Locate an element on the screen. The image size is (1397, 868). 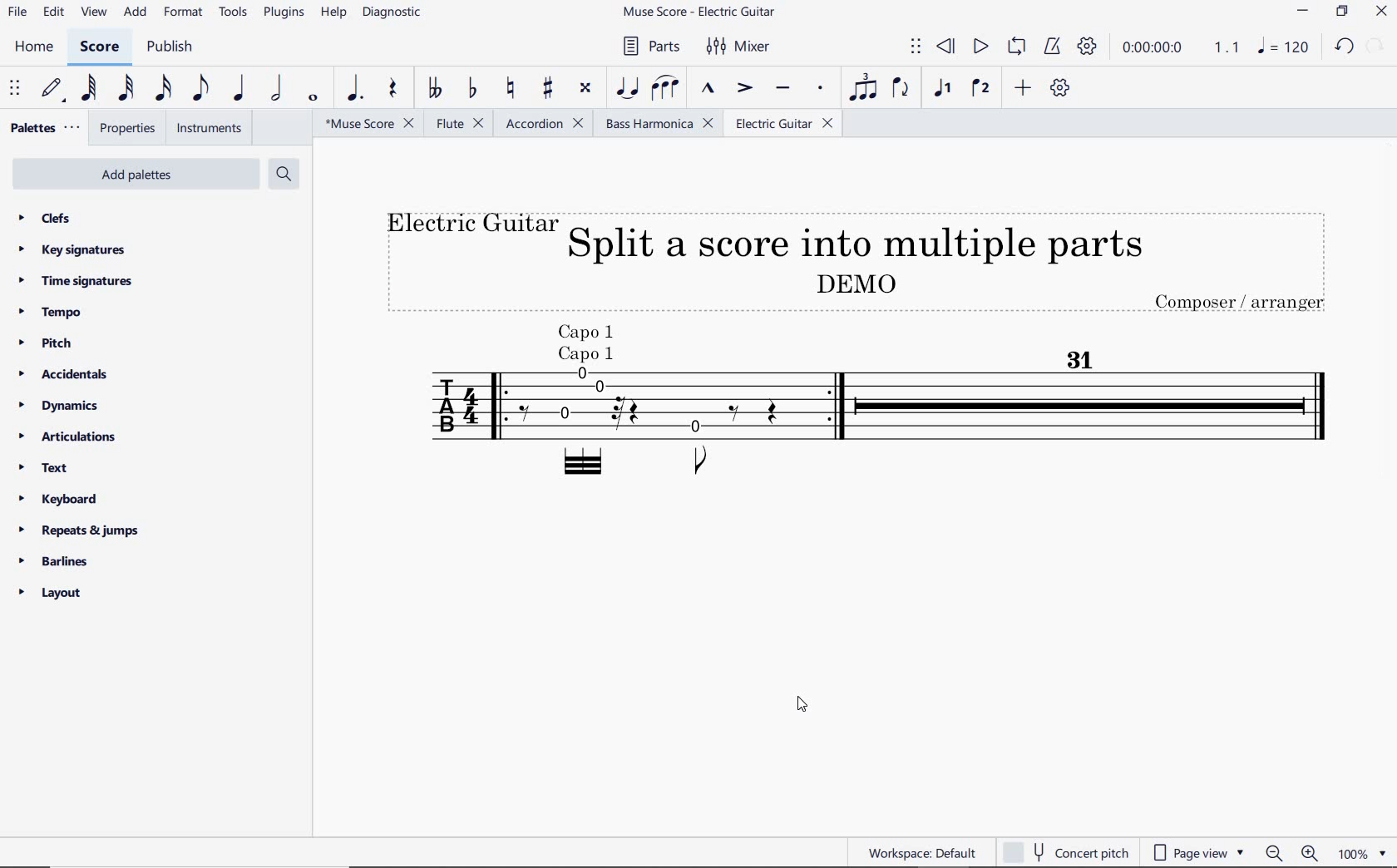
file name is located at coordinates (373, 124).